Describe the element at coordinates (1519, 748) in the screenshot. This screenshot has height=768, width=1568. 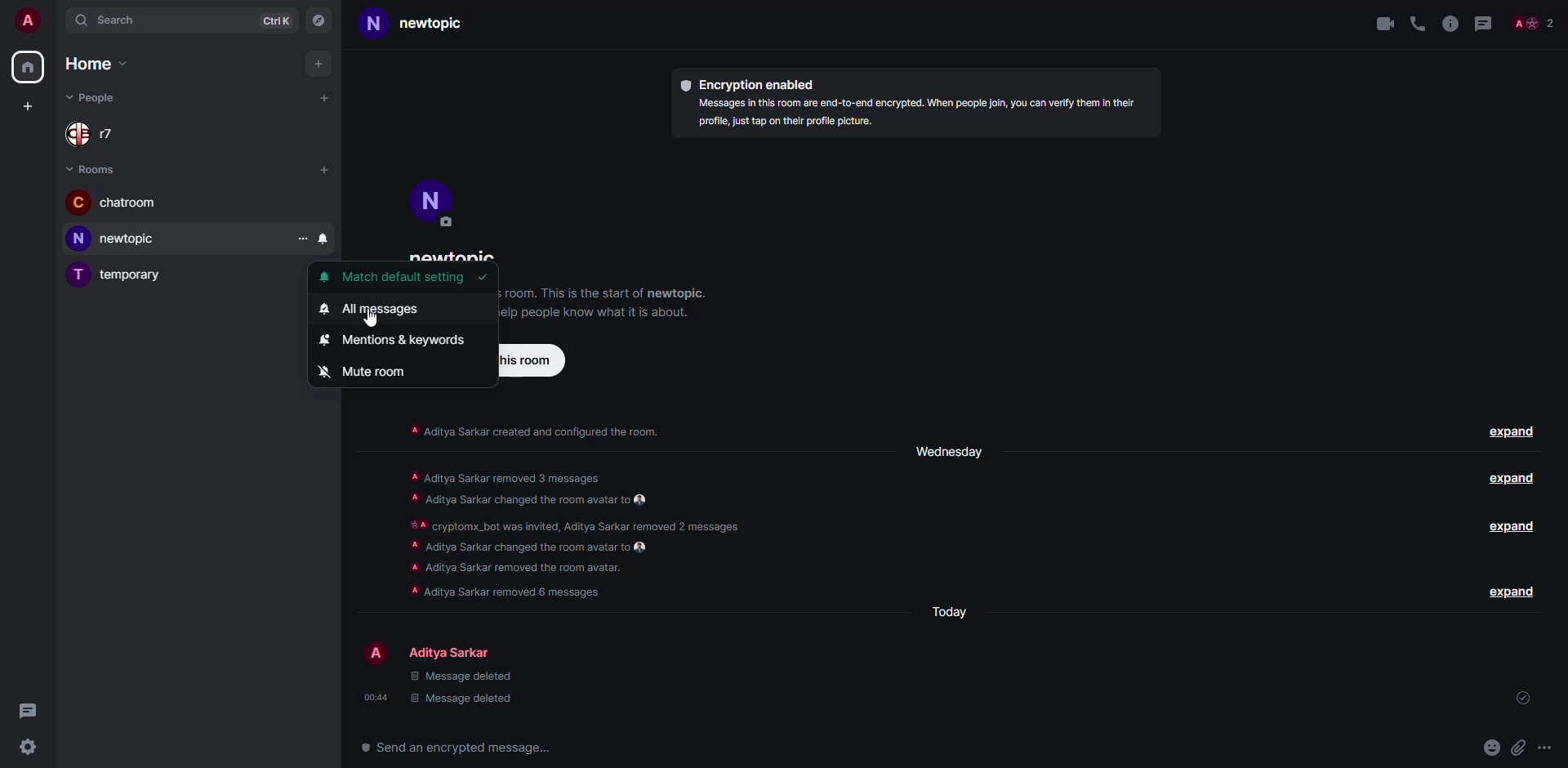
I see `attach` at that location.